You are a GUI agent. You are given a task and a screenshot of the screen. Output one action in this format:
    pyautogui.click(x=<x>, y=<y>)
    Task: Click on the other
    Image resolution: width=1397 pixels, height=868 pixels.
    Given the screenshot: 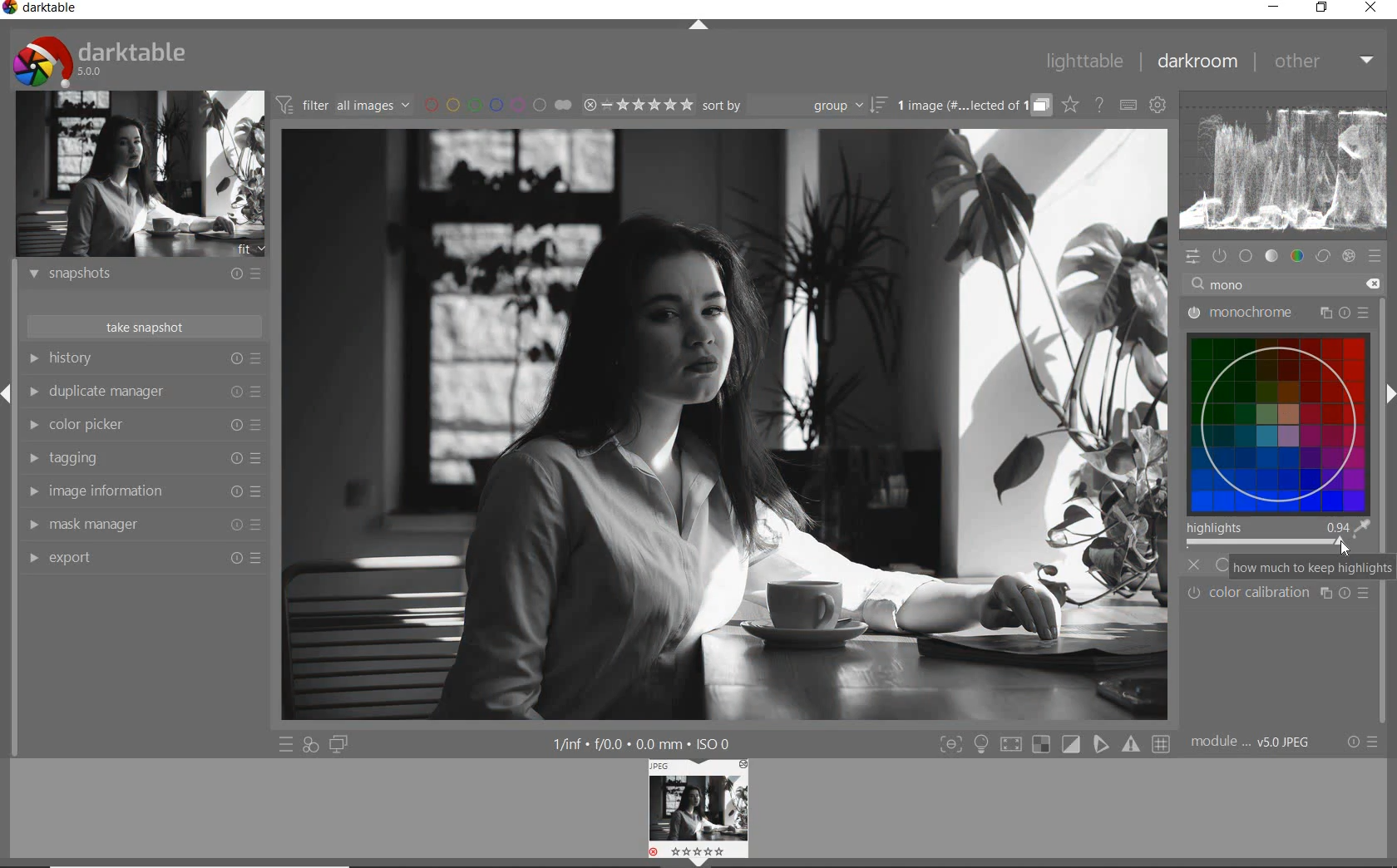 What is the action you would take?
    pyautogui.click(x=1325, y=62)
    